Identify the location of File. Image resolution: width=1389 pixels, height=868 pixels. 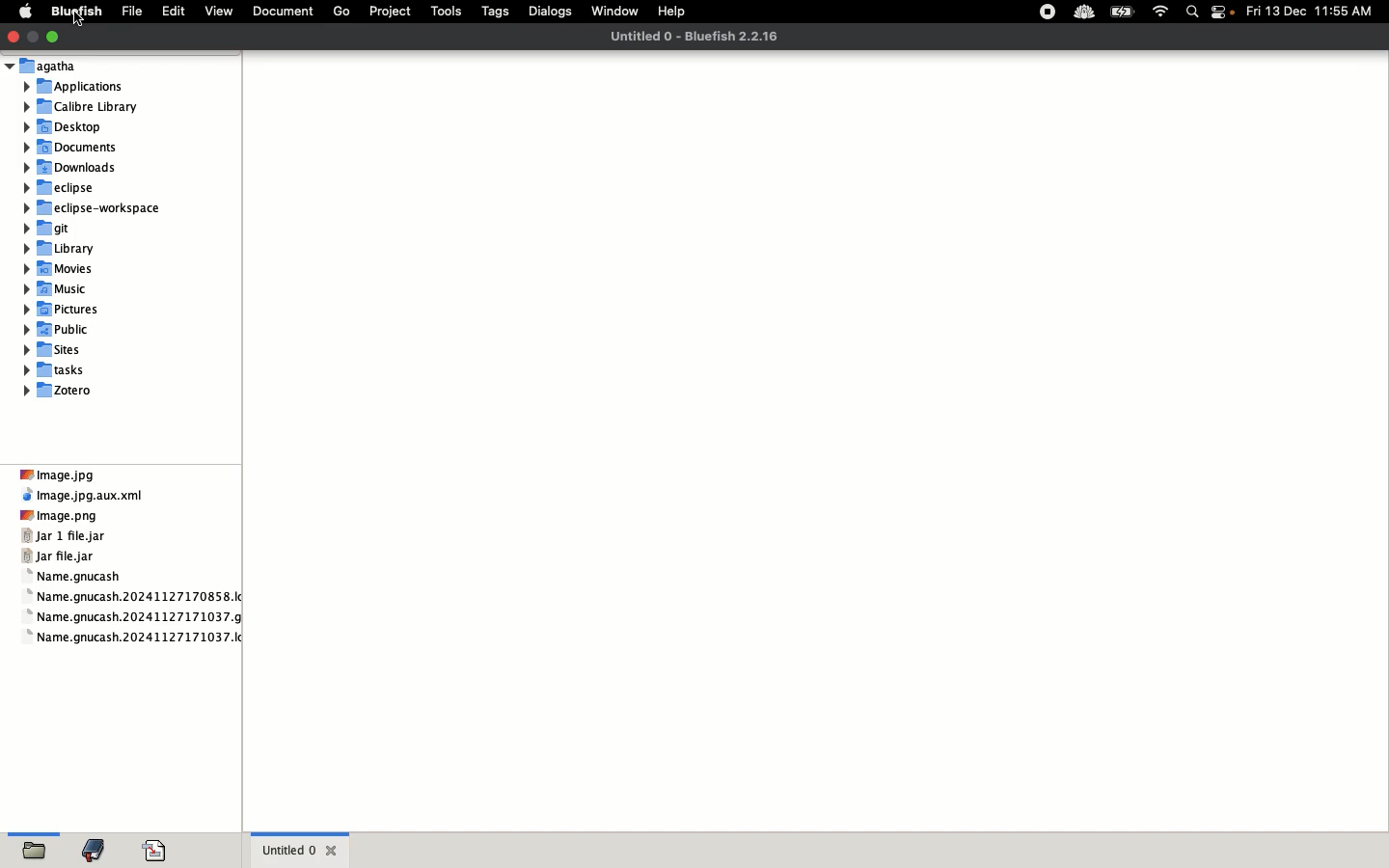
(129, 12).